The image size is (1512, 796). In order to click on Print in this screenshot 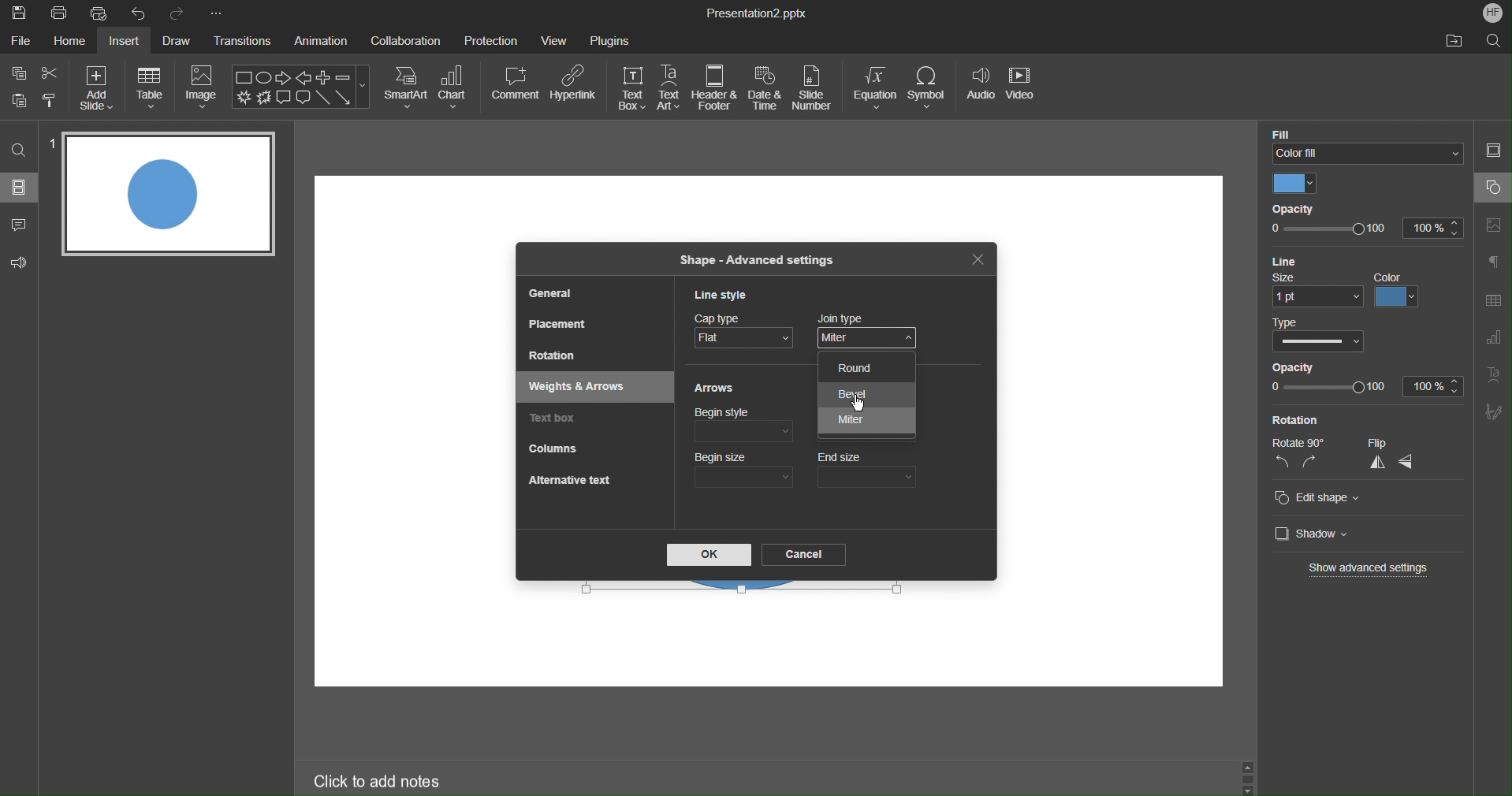, I will do `click(59, 14)`.